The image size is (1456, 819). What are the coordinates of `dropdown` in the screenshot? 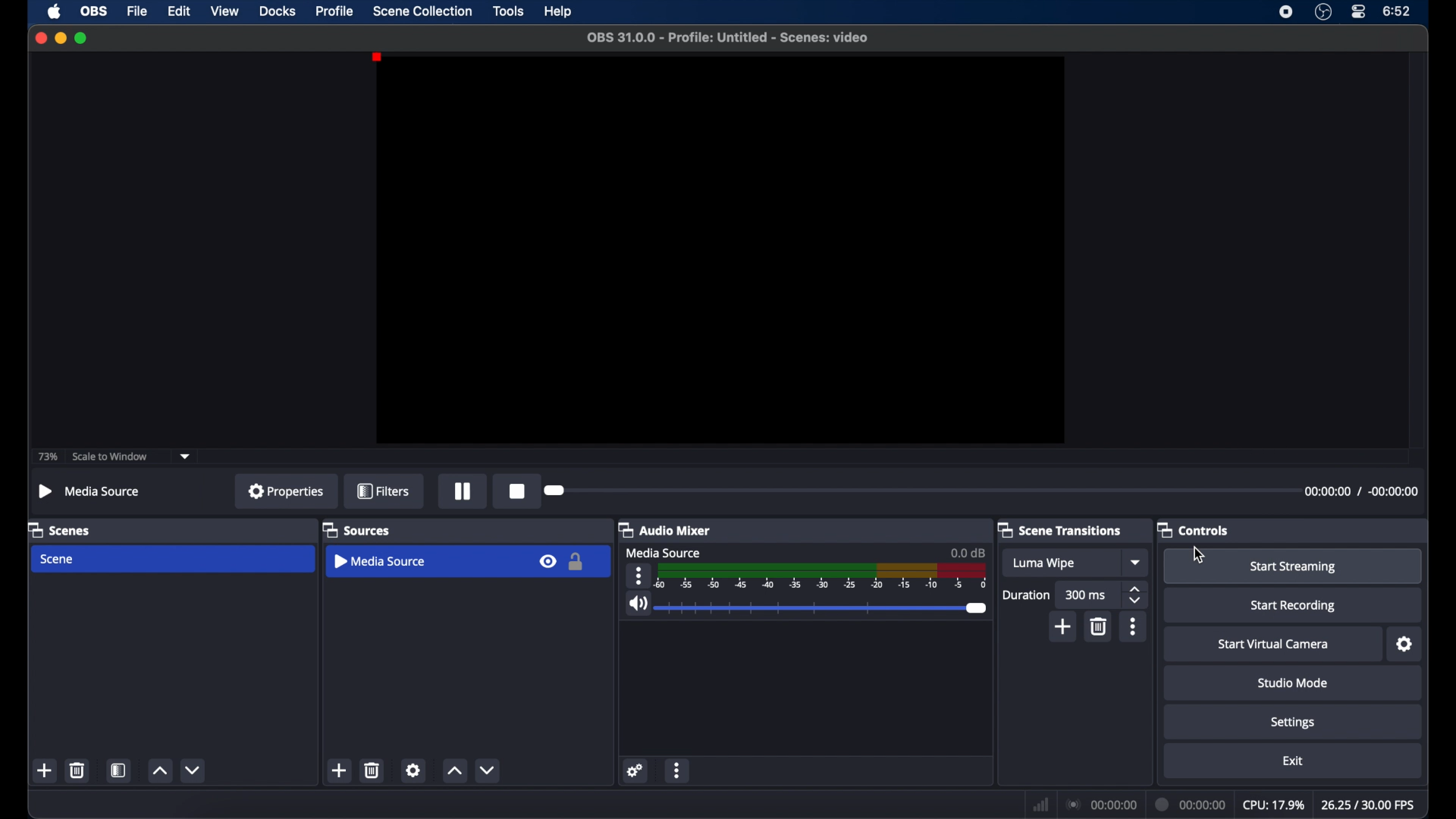 It's located at (187, 457).